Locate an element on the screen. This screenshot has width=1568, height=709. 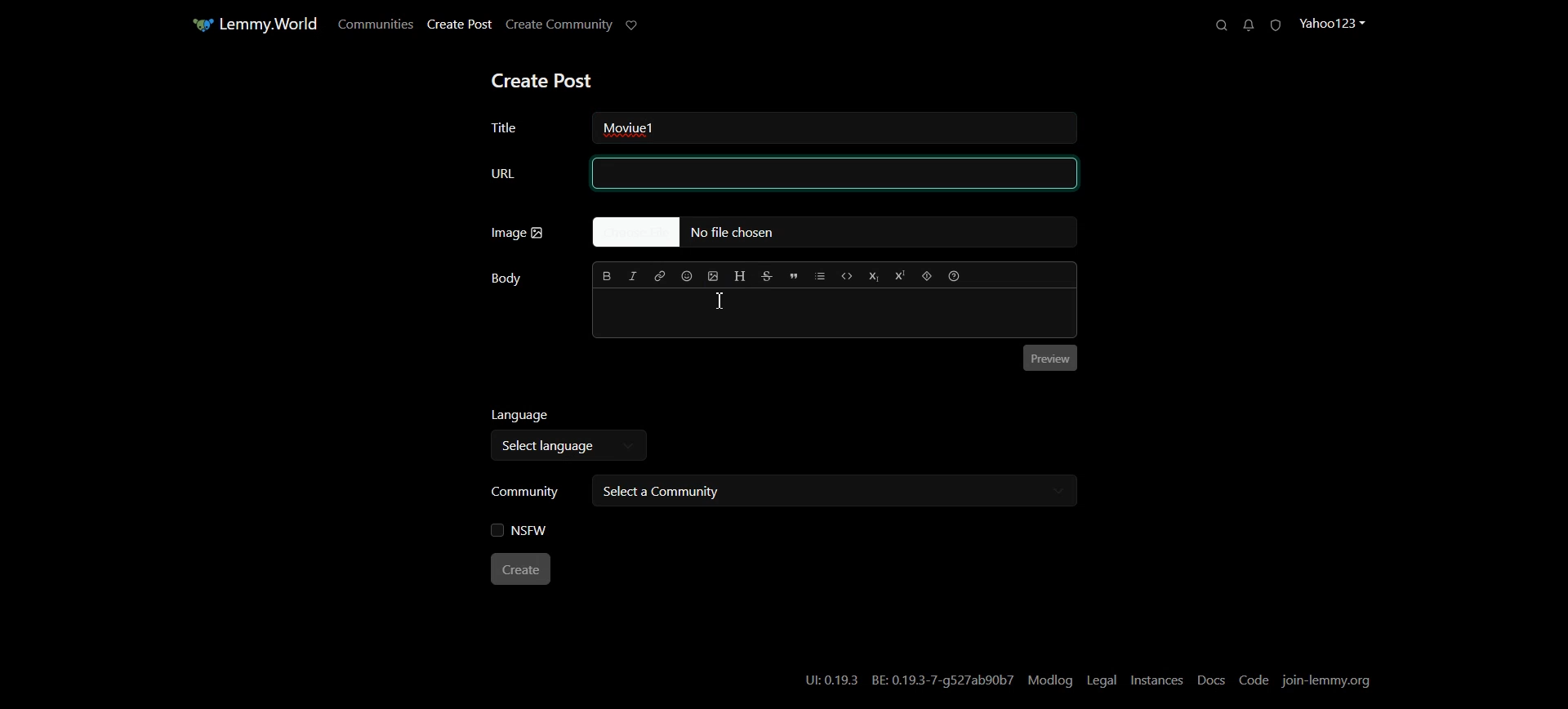
Title is located at coordinates (523, 126).